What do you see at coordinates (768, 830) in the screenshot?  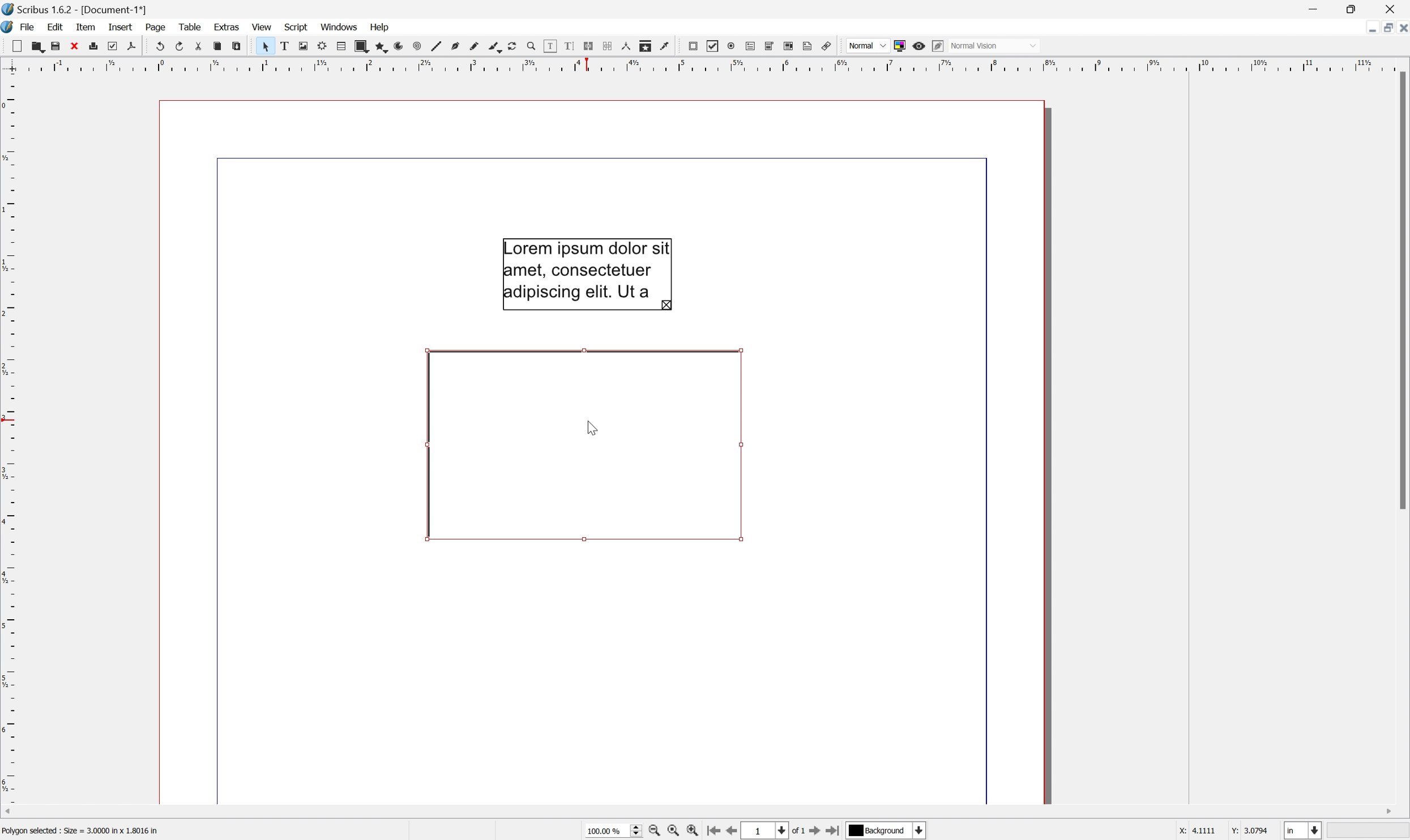 I see `Select the current page` at bounding box center [768, 830].